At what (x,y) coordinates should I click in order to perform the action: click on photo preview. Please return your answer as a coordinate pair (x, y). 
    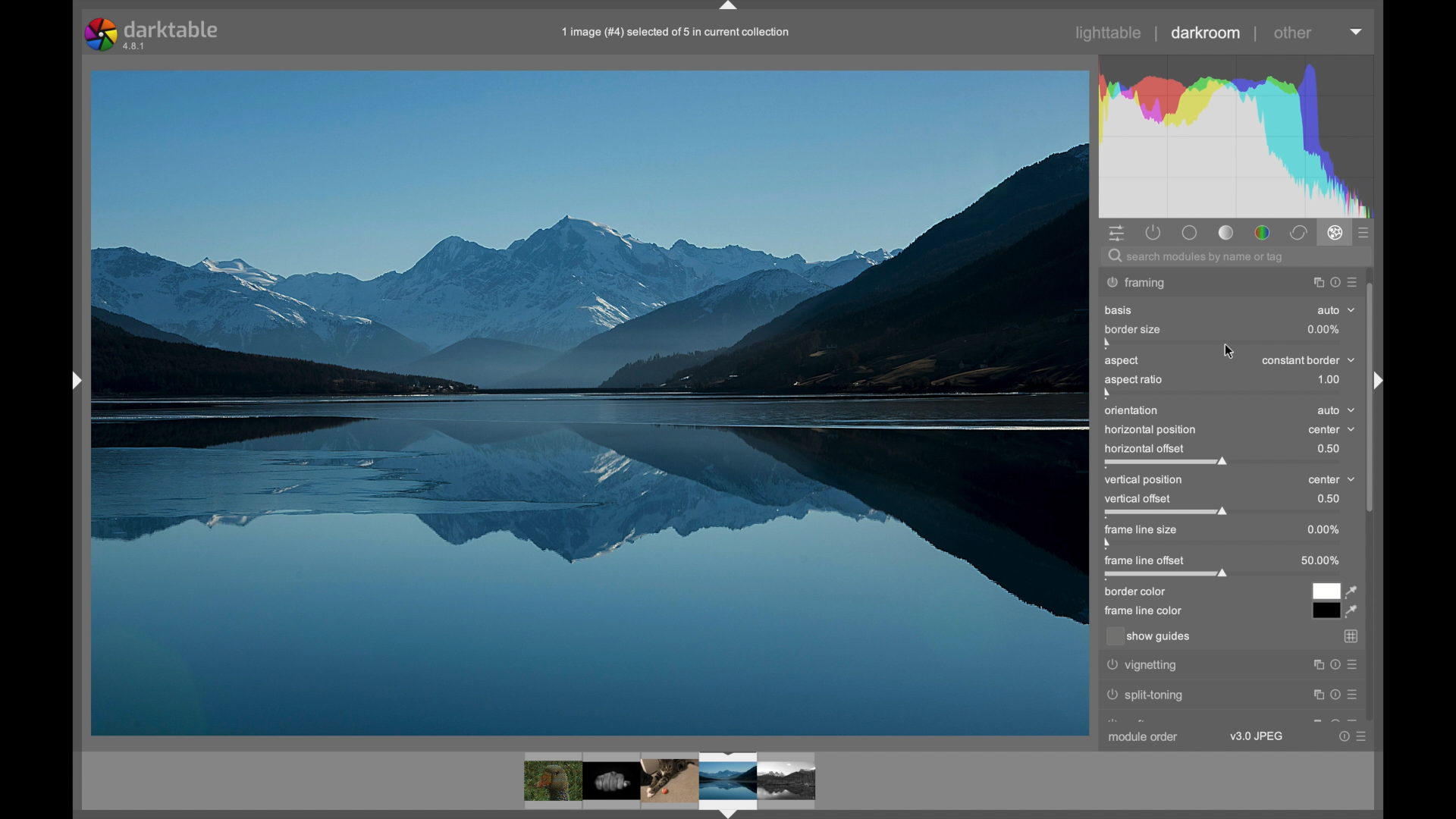
    Looking at the image, I should click on (672, 783).